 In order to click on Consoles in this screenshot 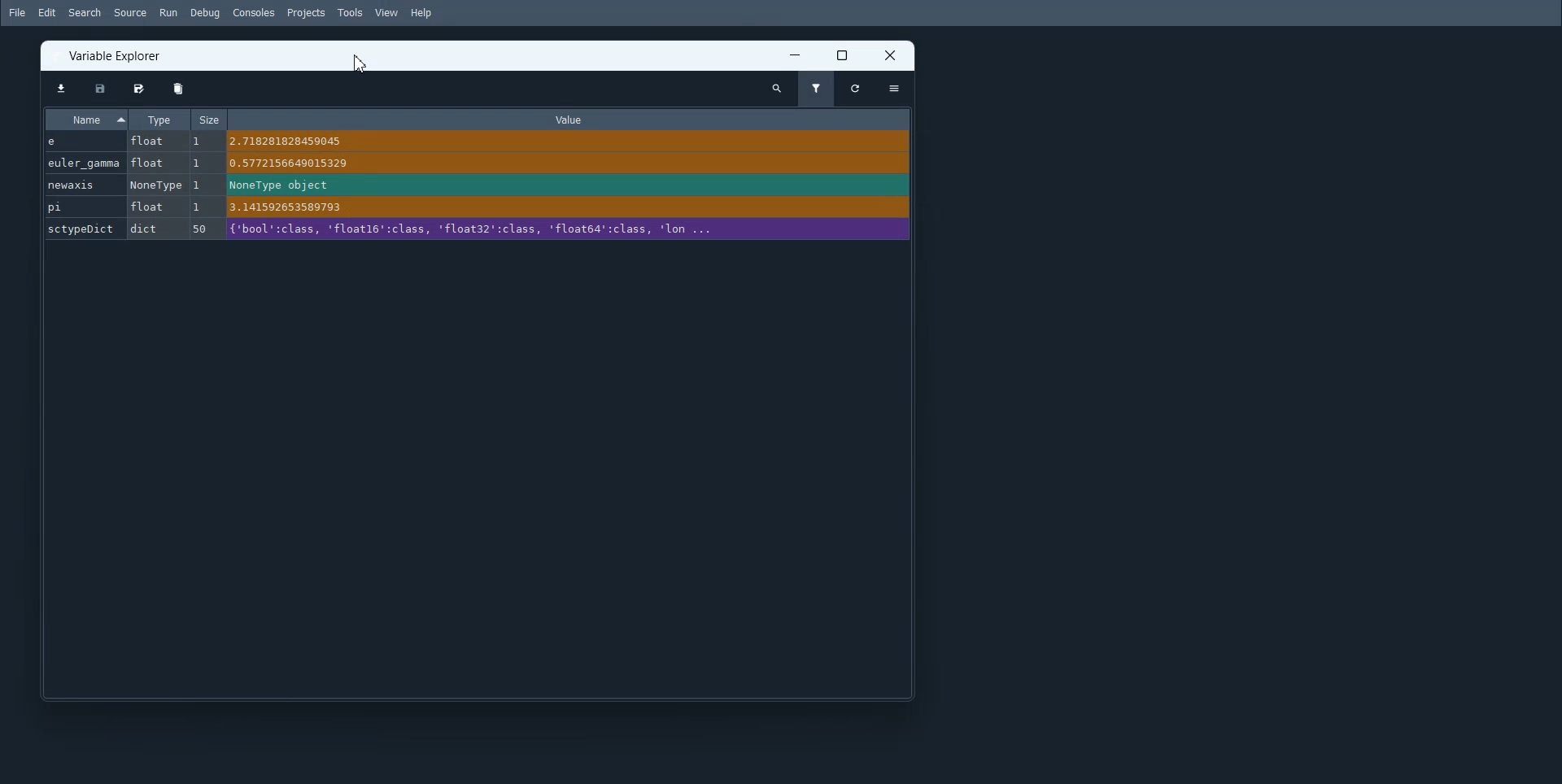, I will do `click(252, 12)`.